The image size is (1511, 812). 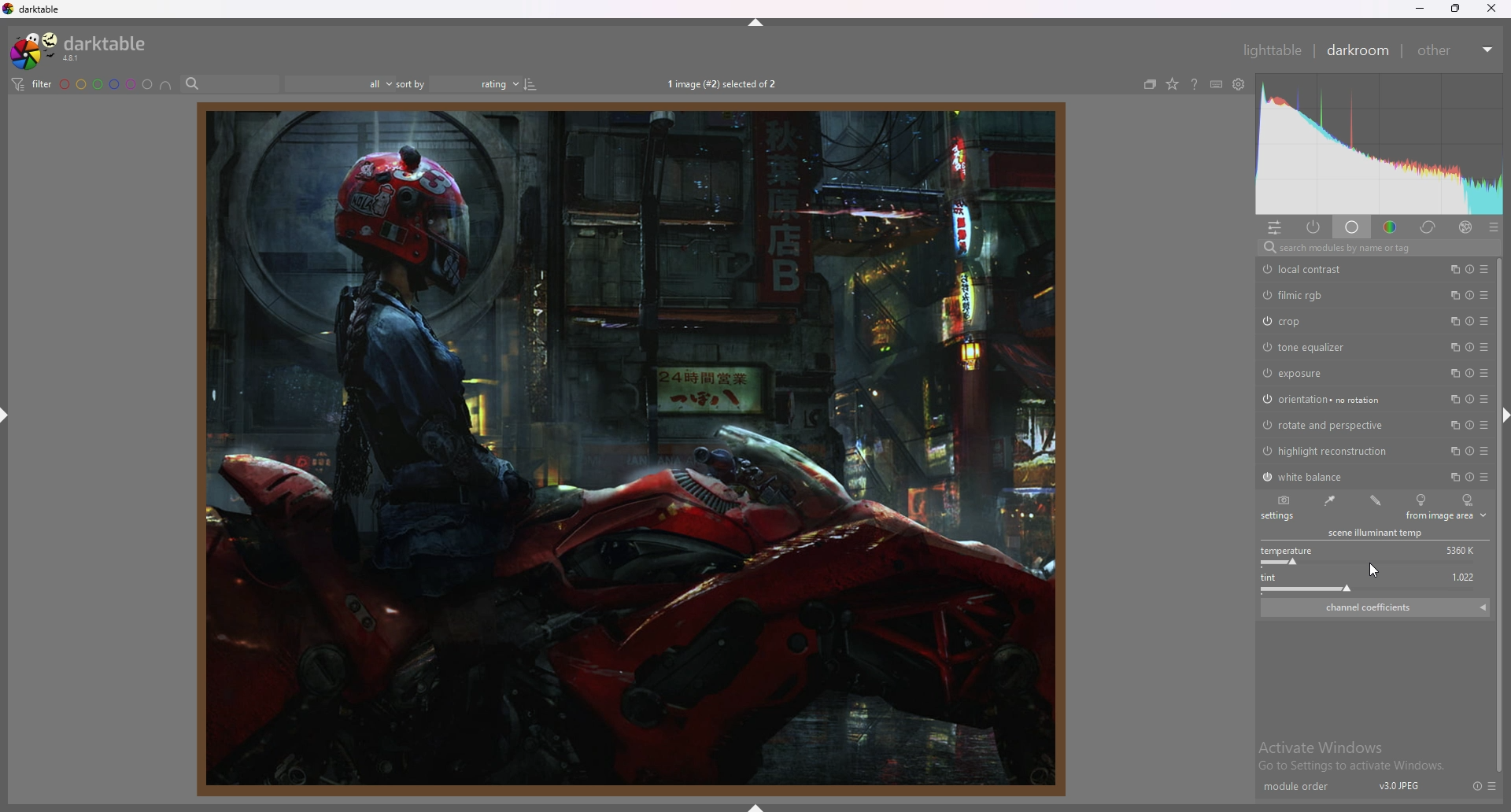 I want to click on help, so click(x=1195, y=84).